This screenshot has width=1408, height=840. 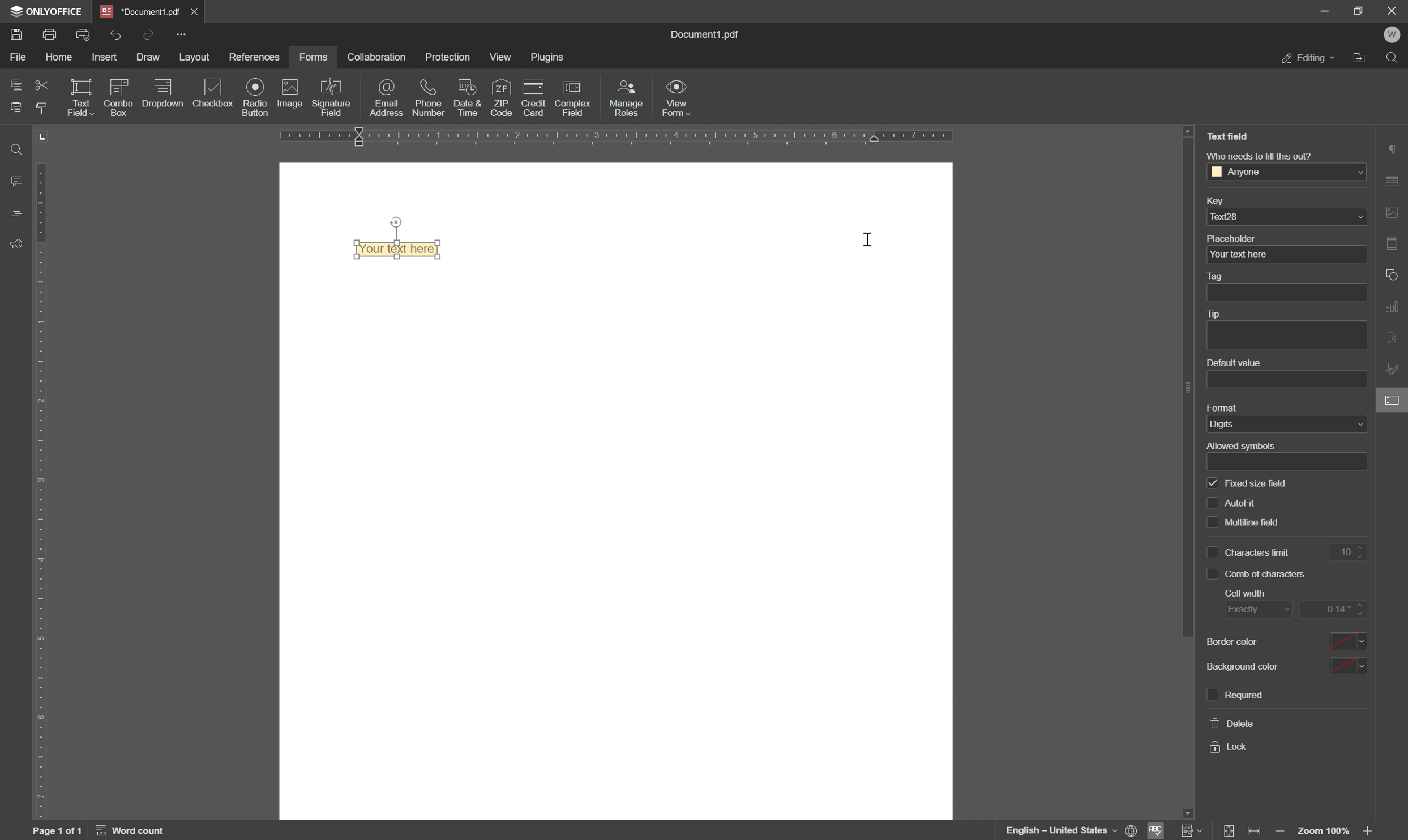 I want to click on view form, so click(x=677, y=99).